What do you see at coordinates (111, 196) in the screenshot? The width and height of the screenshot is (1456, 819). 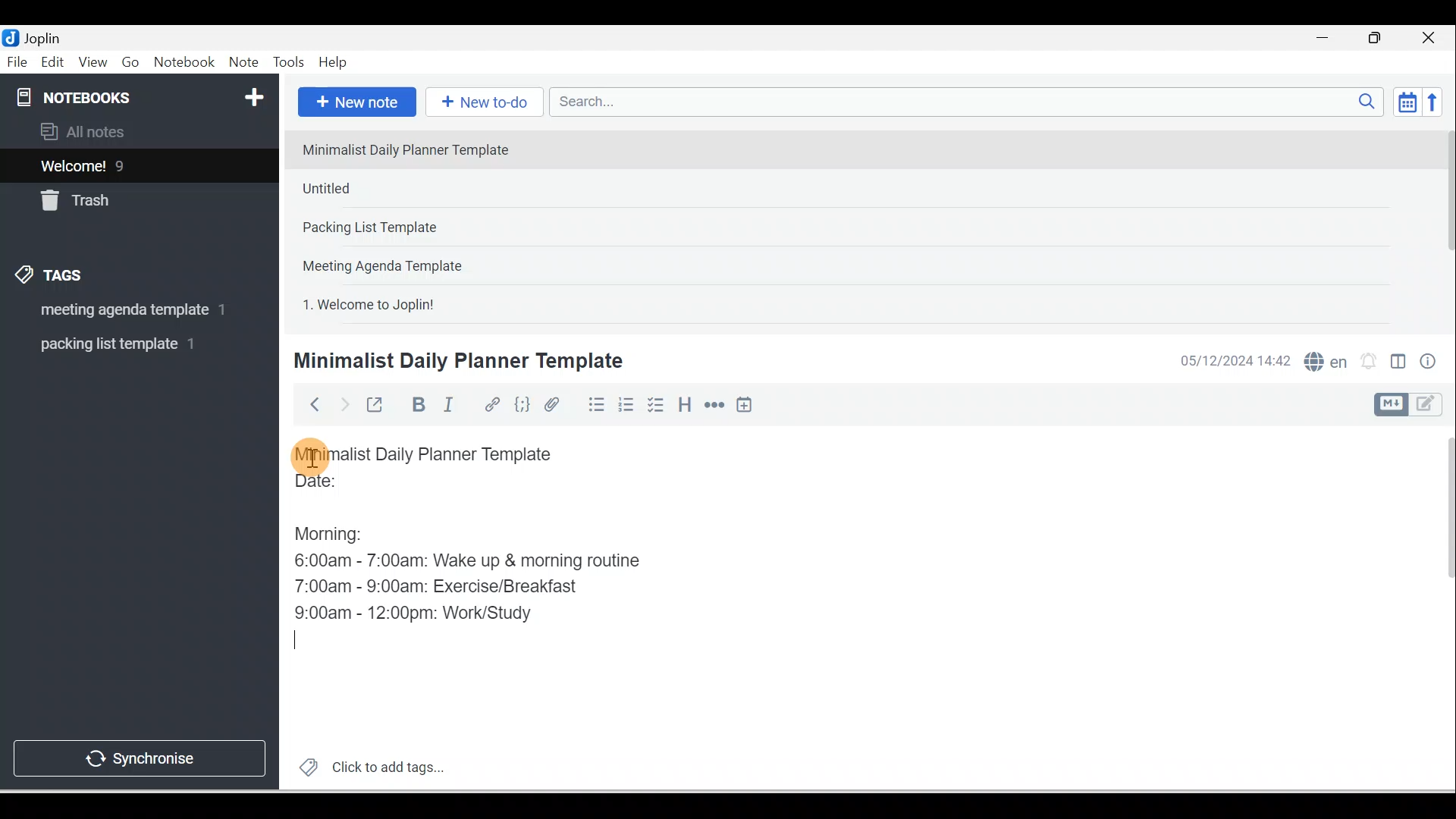 I see `Trash` at bounding box center [111, 196].